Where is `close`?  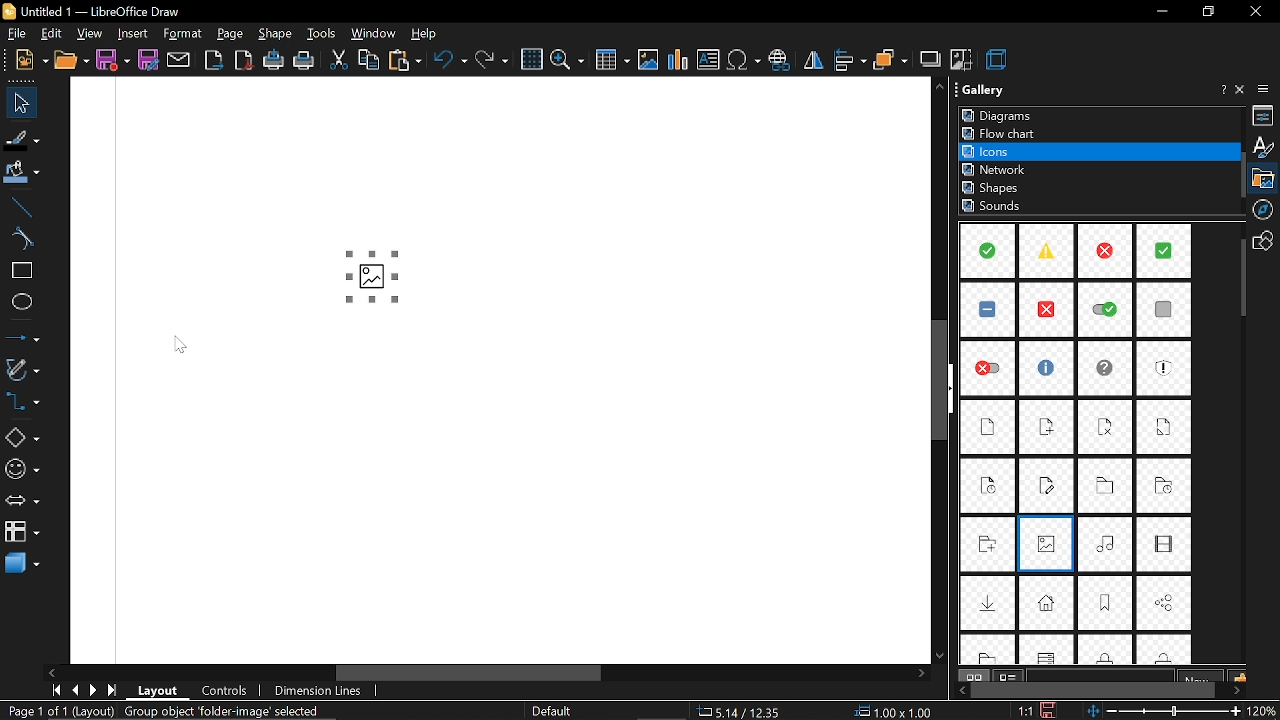 close is located at coordinates (1255, 13).